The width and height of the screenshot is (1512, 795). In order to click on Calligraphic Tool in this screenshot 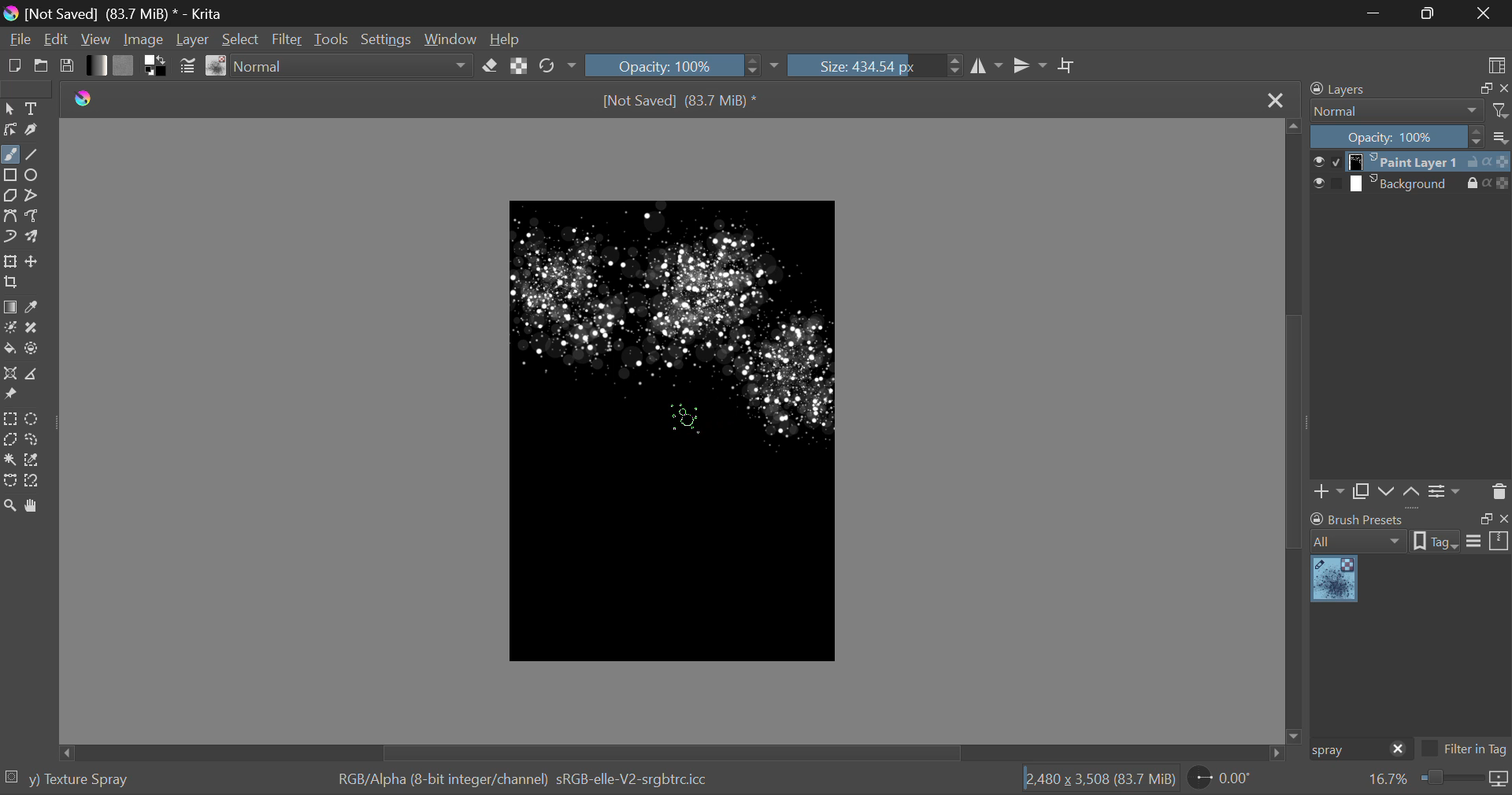, I will do `click(34, 130)`.